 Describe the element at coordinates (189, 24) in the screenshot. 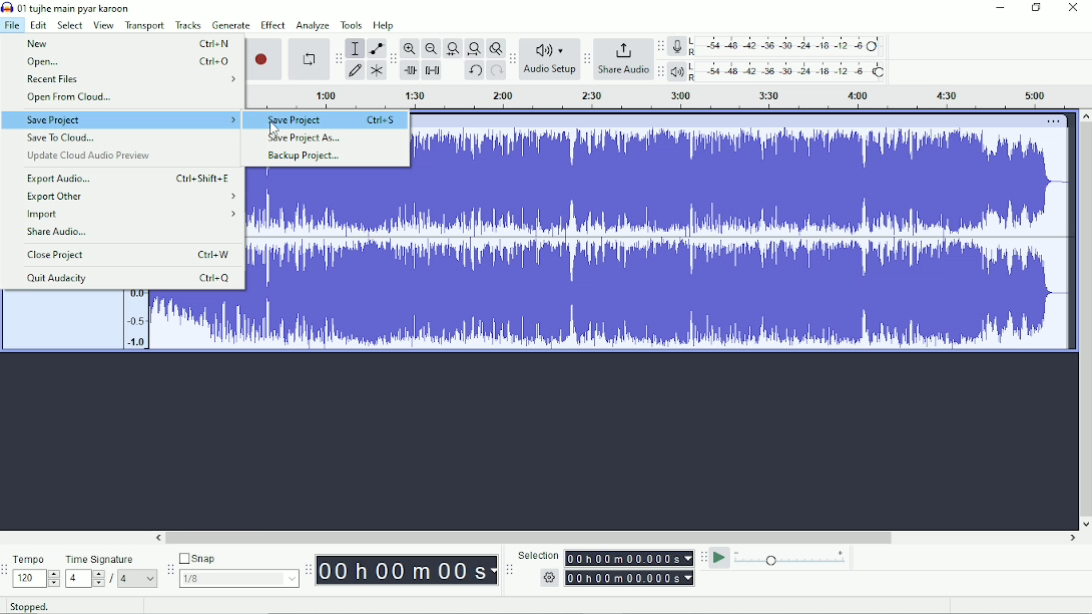

I see `Tracks` at that location.